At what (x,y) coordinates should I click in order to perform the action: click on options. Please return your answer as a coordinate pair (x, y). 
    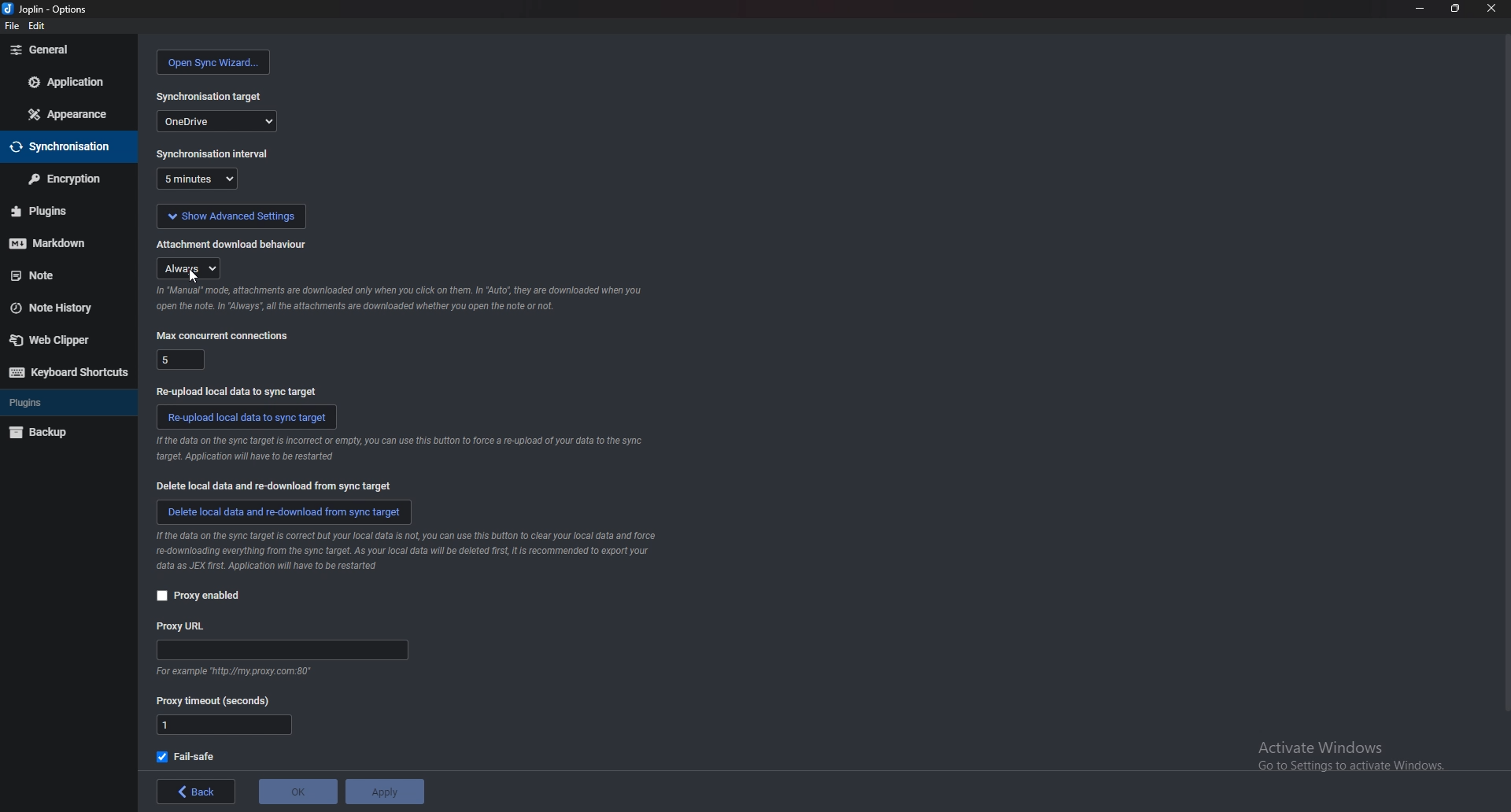
    Looking at the image, I should click on (47, 9).